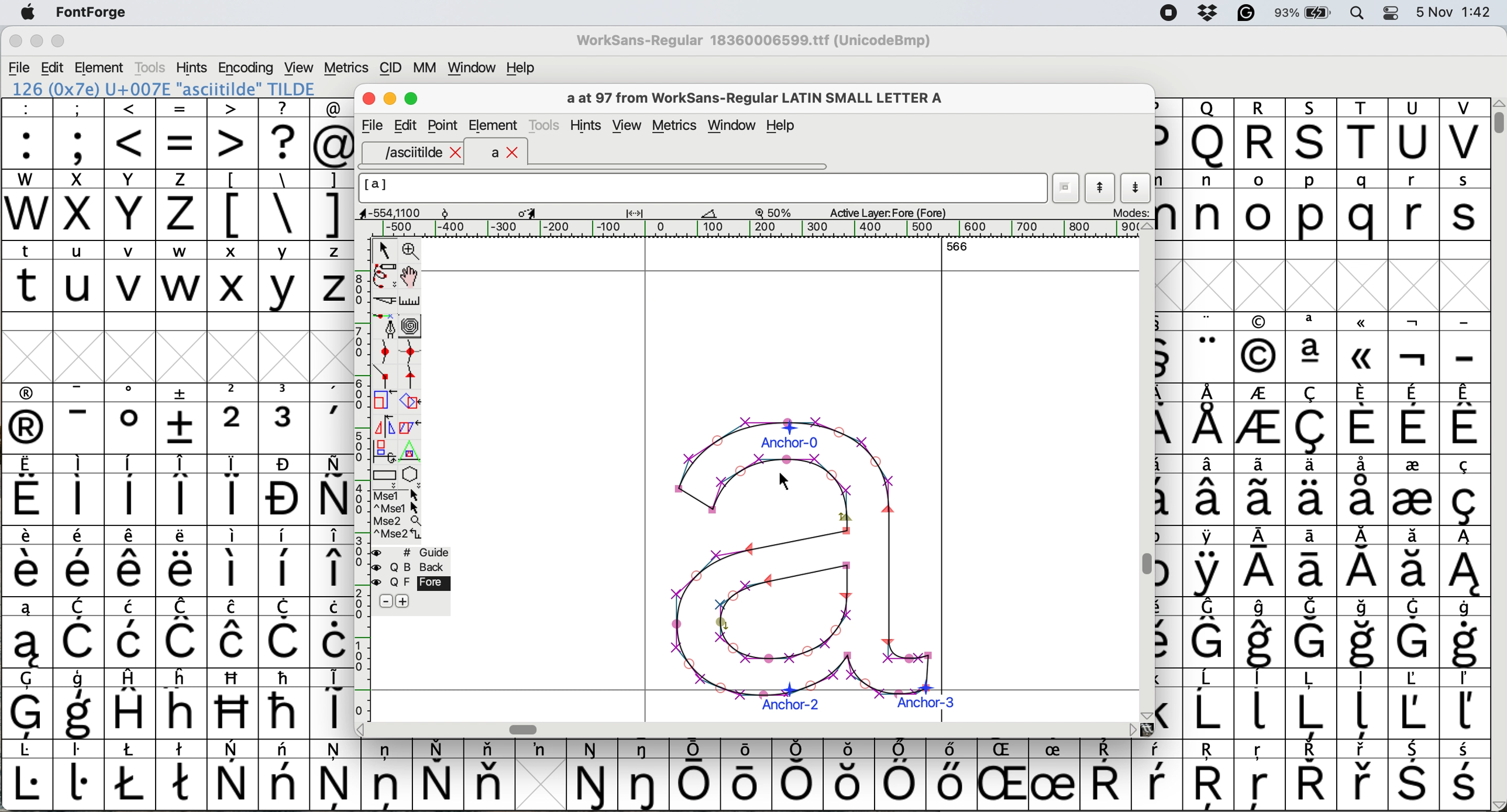 The image size is (1507, 812). Describe the element at coordinates (346, 68) in the screenshot. I see `metrics` at that location.